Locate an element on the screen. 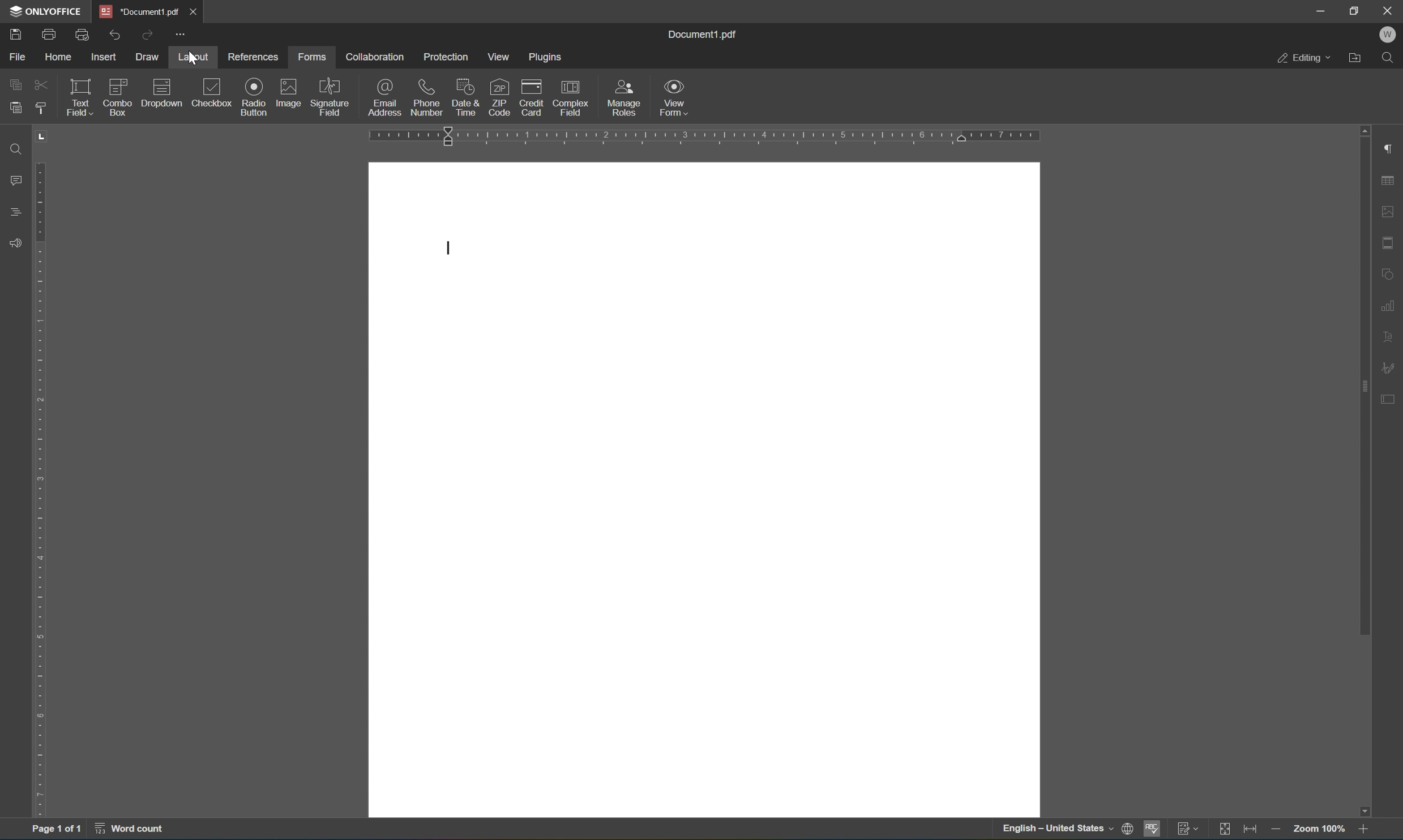 The image size is (1403, 840). word count is located at coordinates (126, 832).